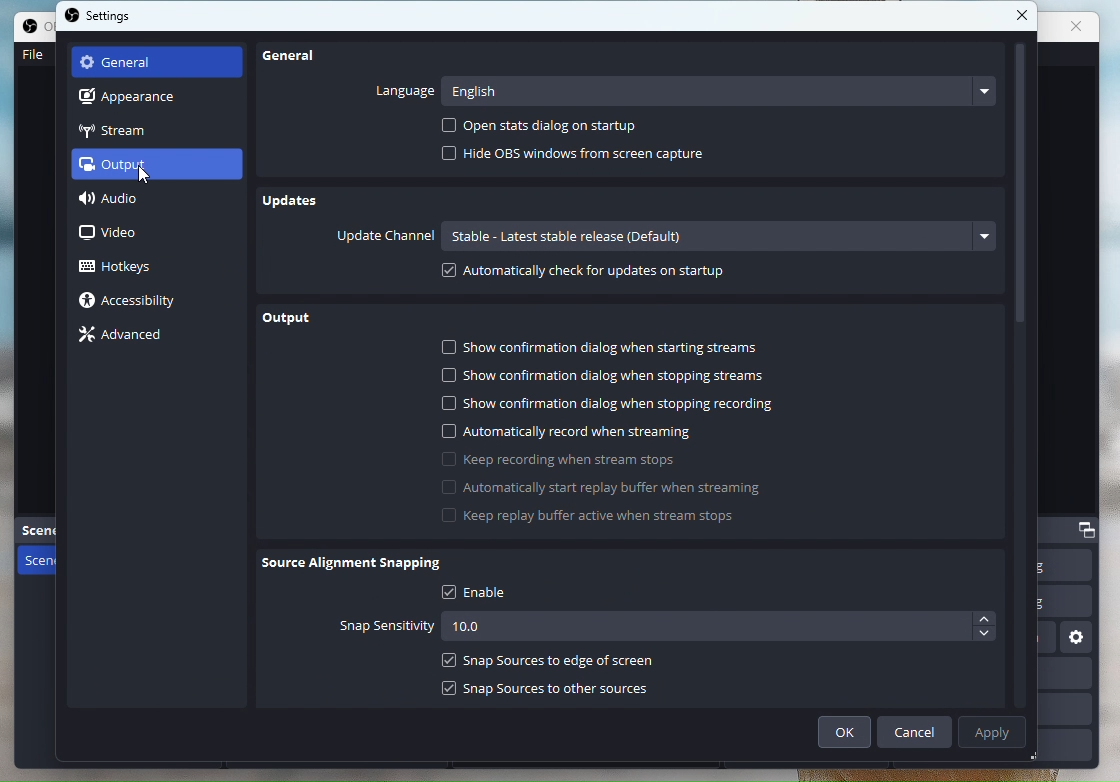 This screenshot has height=782, width=1120. What do you see at coordinates (723, 92) in the screenshot?
I see `English` at bounding box center [723, 92].